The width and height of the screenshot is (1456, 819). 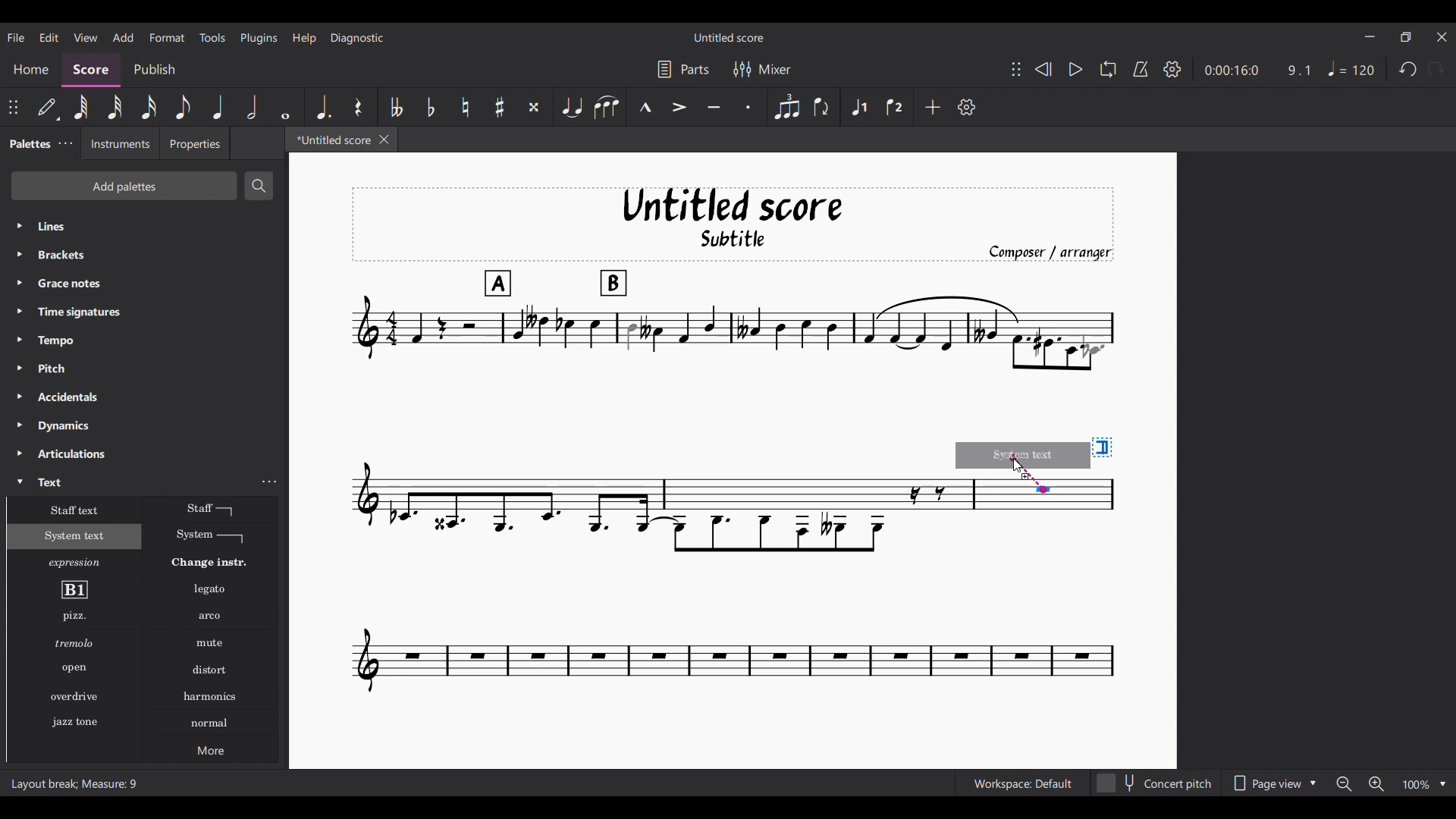 What do you see at coordinates (1042, 484) in the screenshot?
I see `Indicates point of contact` at bounding box center [1042, 484].